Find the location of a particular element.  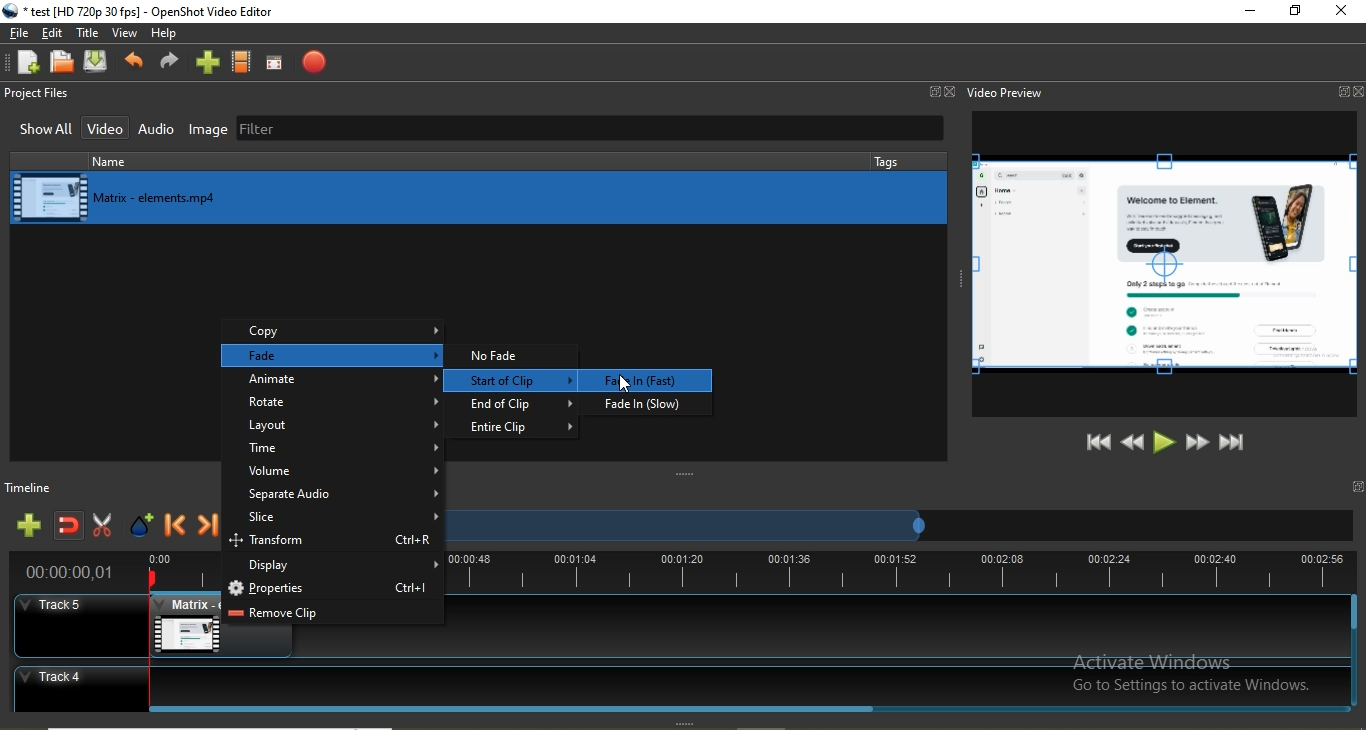

properties is located at coordinates (330, 590).